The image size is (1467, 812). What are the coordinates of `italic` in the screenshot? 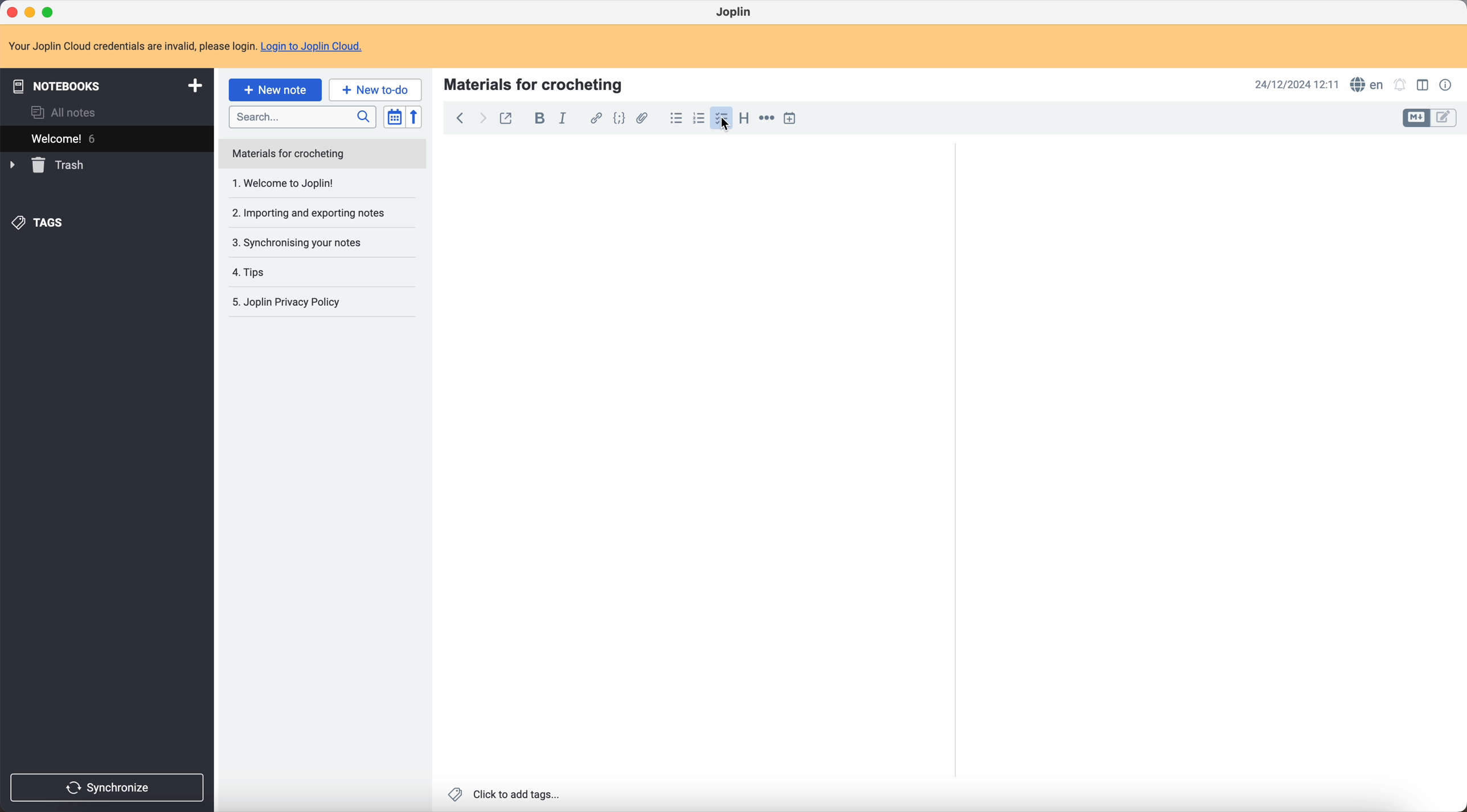 It's located at (565, 118).